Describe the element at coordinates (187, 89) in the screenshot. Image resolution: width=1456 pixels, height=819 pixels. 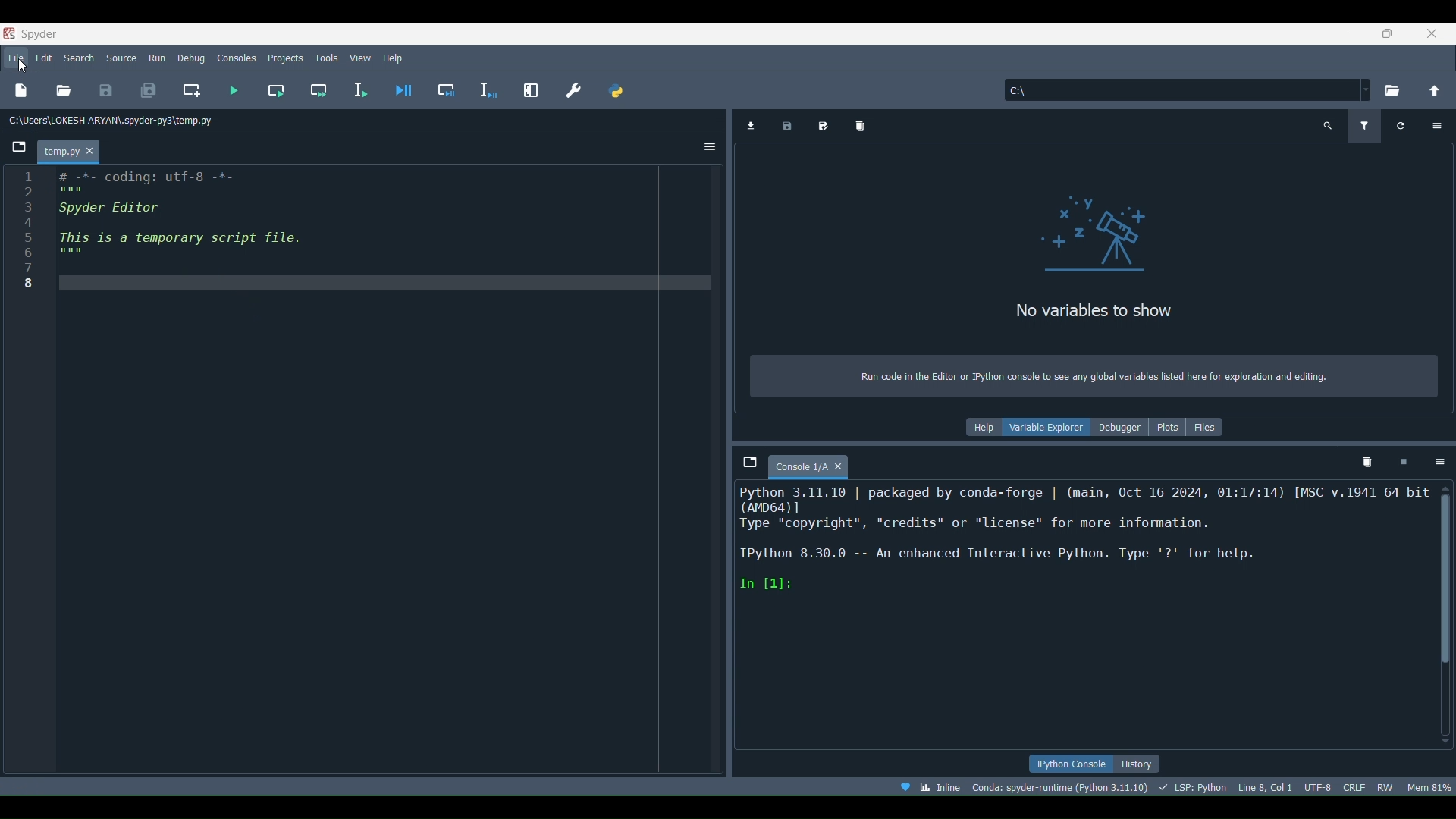
I see `Create new cell at the current line (Ctrl + 2)` at that location.